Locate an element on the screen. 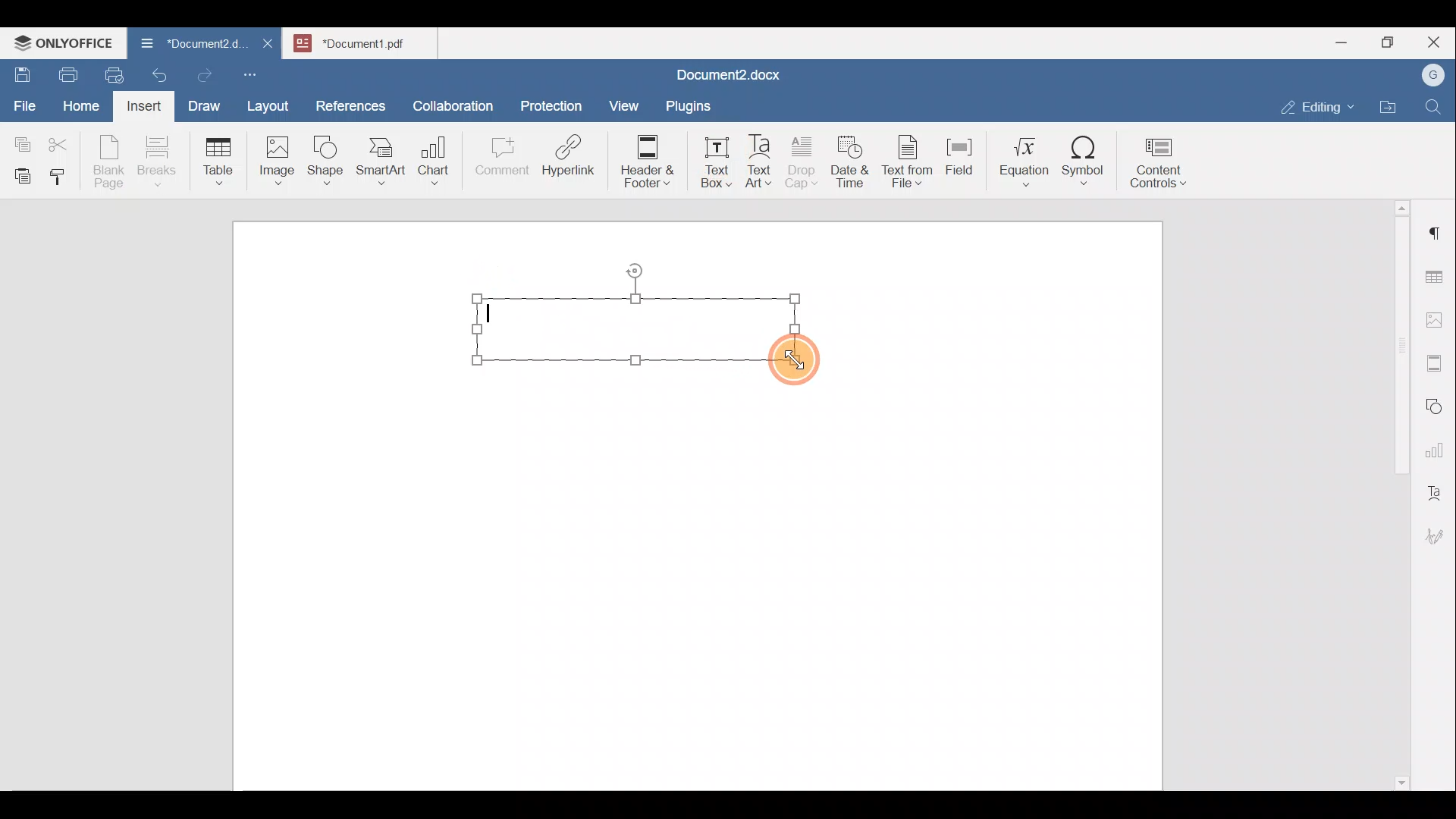  Insert is located at coordinates (140, 103).